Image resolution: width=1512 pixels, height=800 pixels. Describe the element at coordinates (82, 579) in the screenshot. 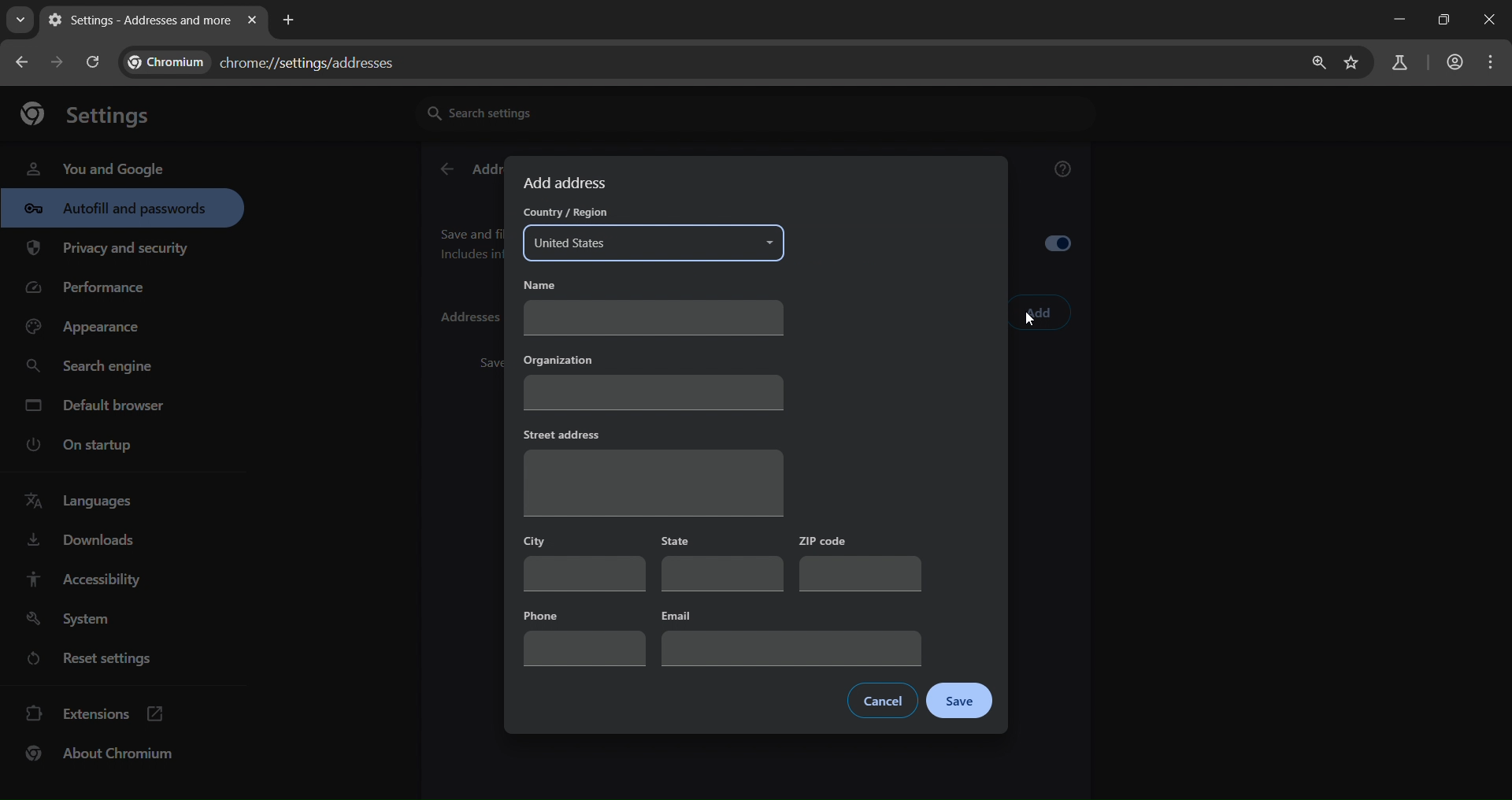

I see `accessibility` at that location.